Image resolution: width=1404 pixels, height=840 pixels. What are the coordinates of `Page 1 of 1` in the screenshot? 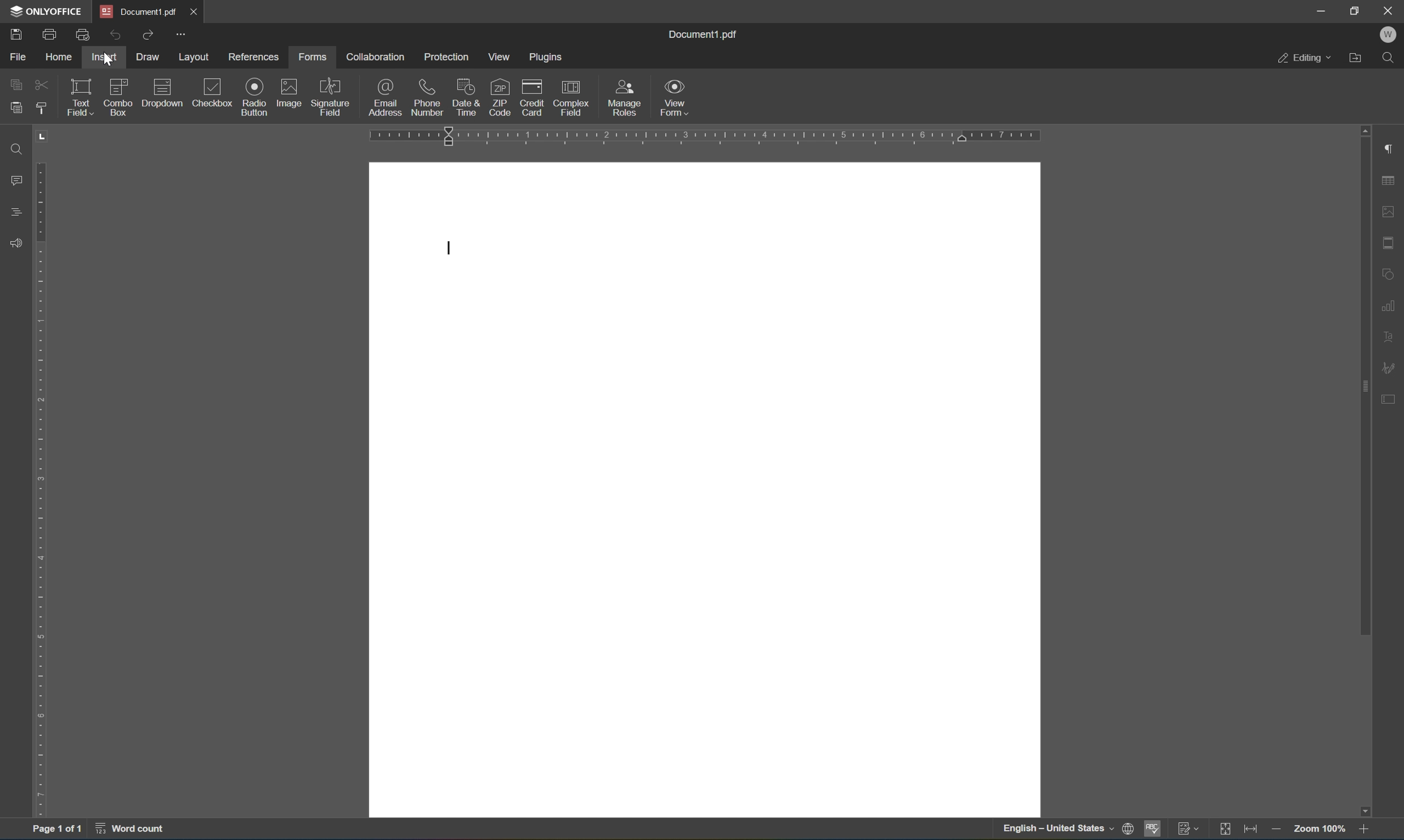 It's located at (57, 830).